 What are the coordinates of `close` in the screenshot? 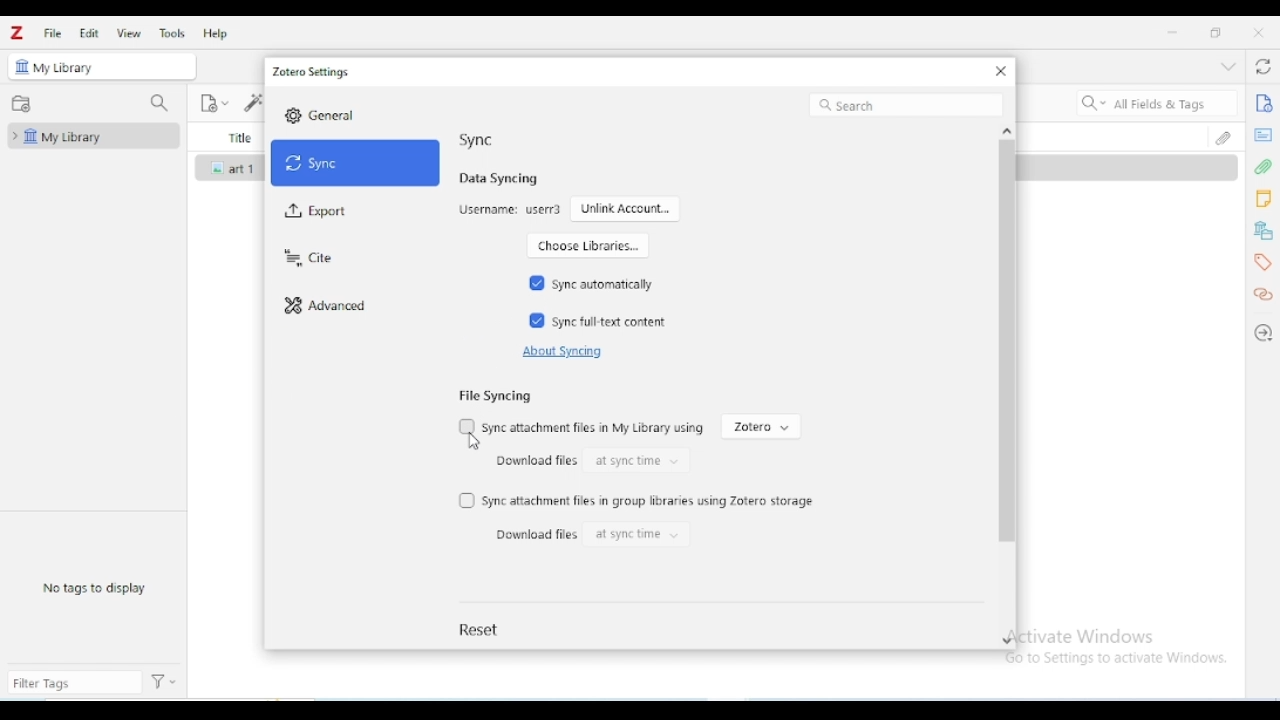 It's located at (1259, 32).